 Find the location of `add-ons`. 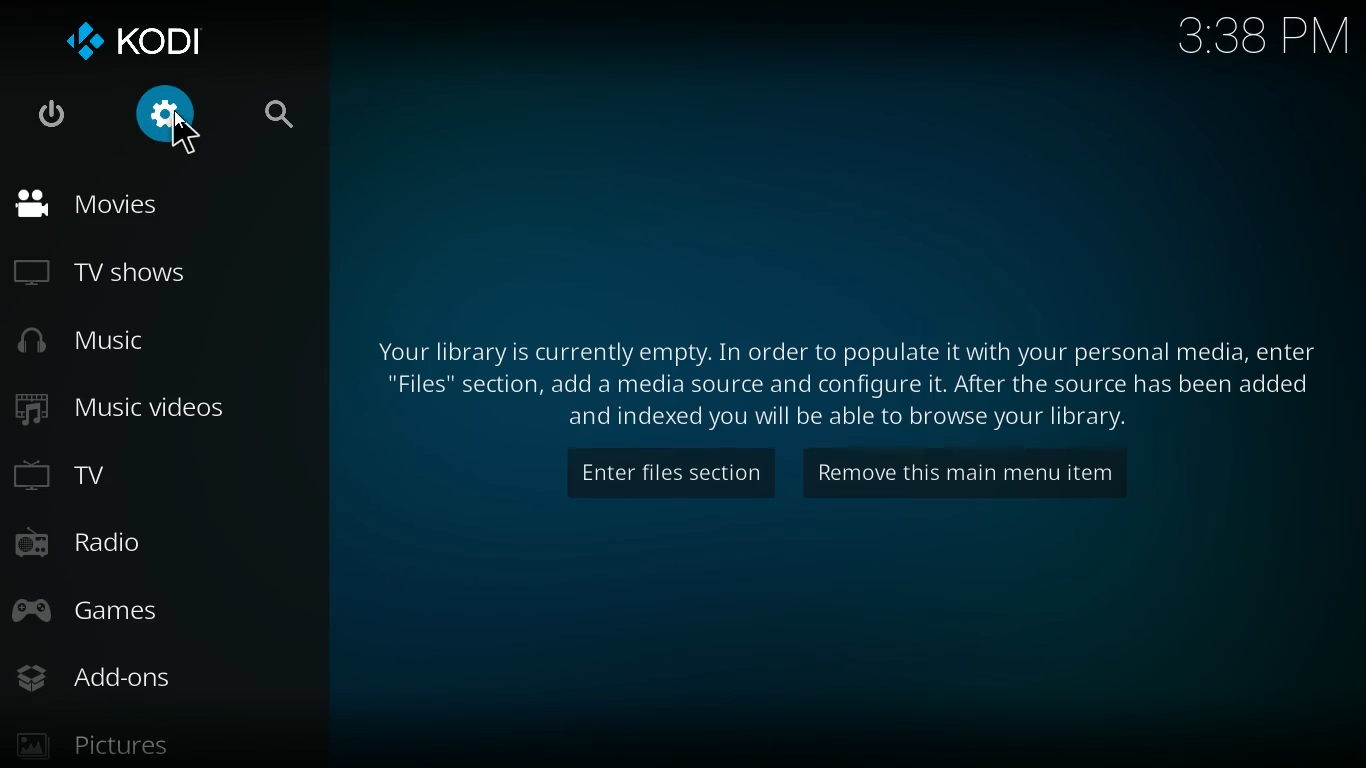

add-ons is located at coordinates (142, 681).